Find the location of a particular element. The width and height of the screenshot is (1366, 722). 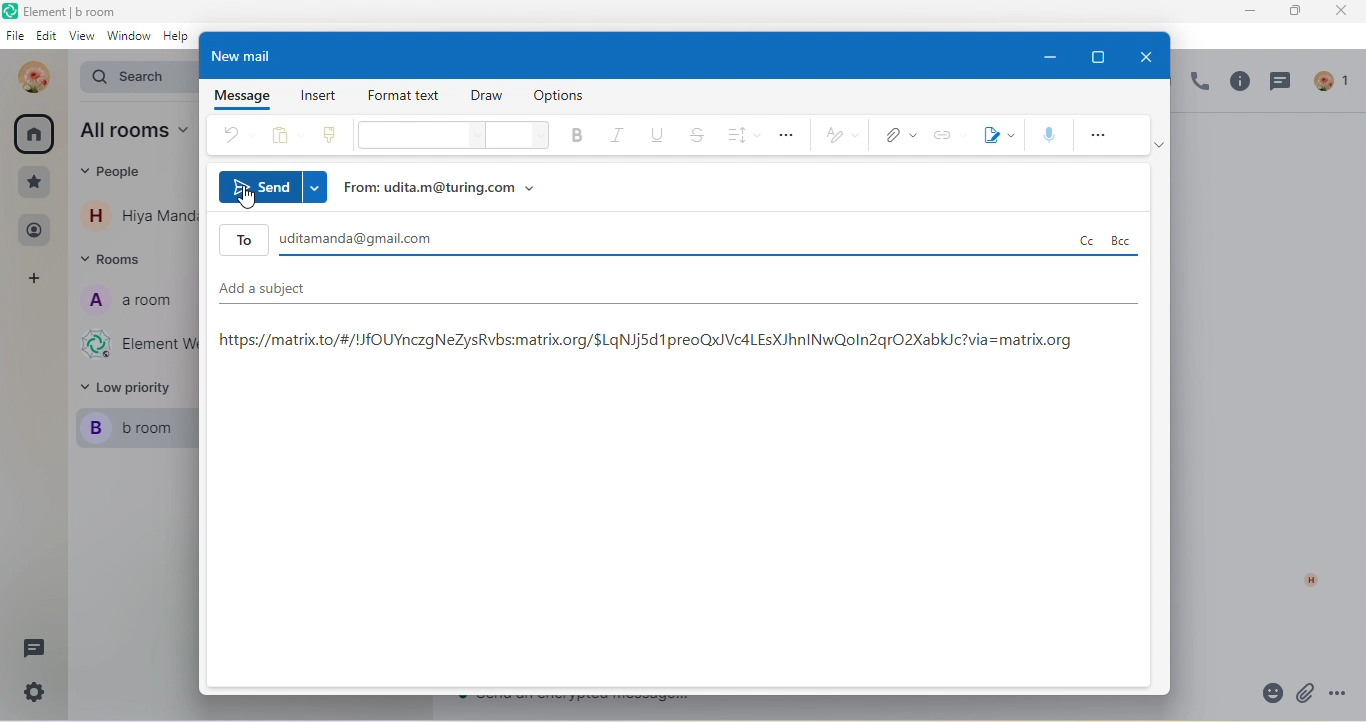

font style is located at coordinates (416, 137).